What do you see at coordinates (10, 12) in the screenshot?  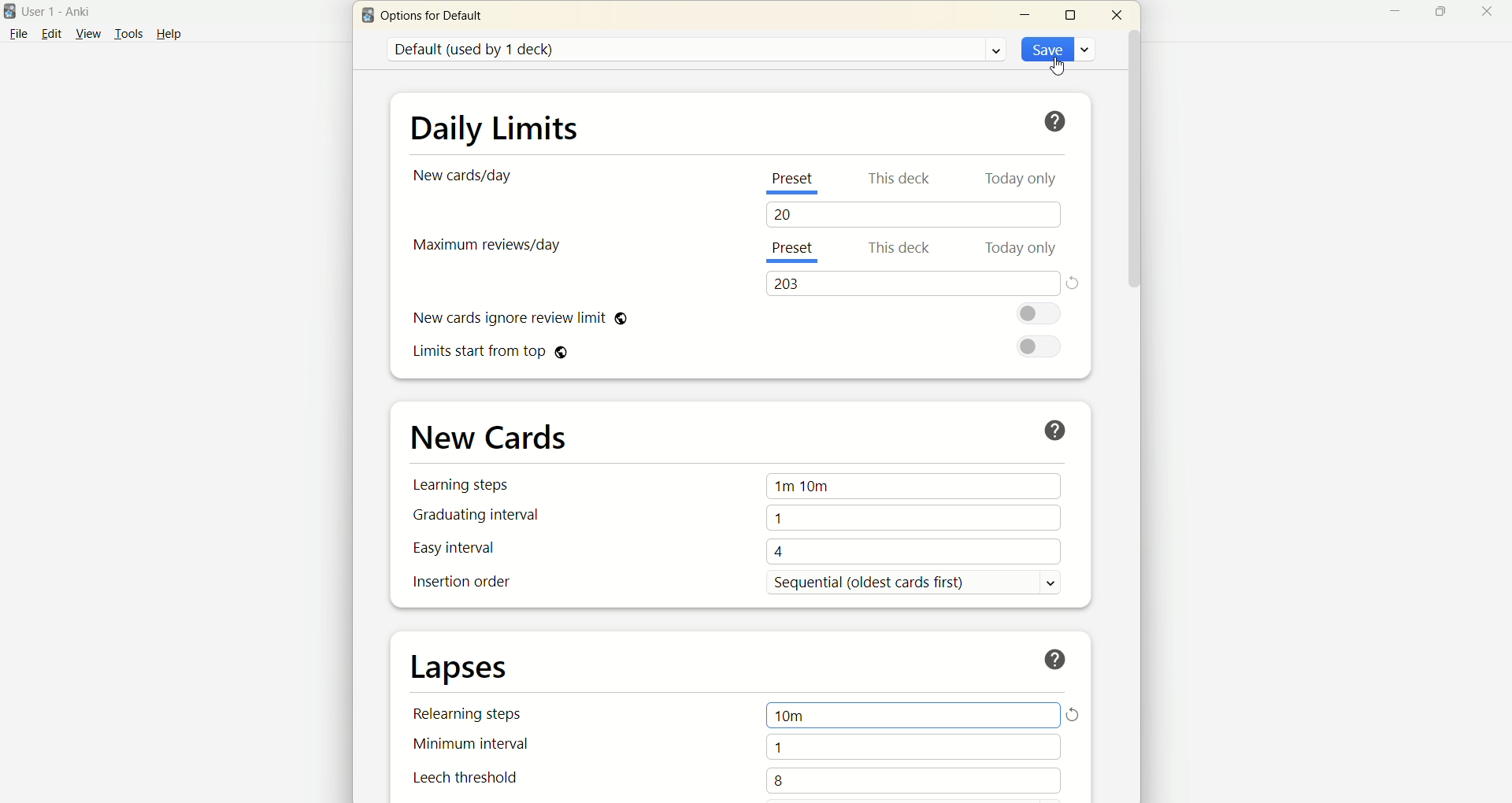 I see `logo` at bounding box center [10, 12].